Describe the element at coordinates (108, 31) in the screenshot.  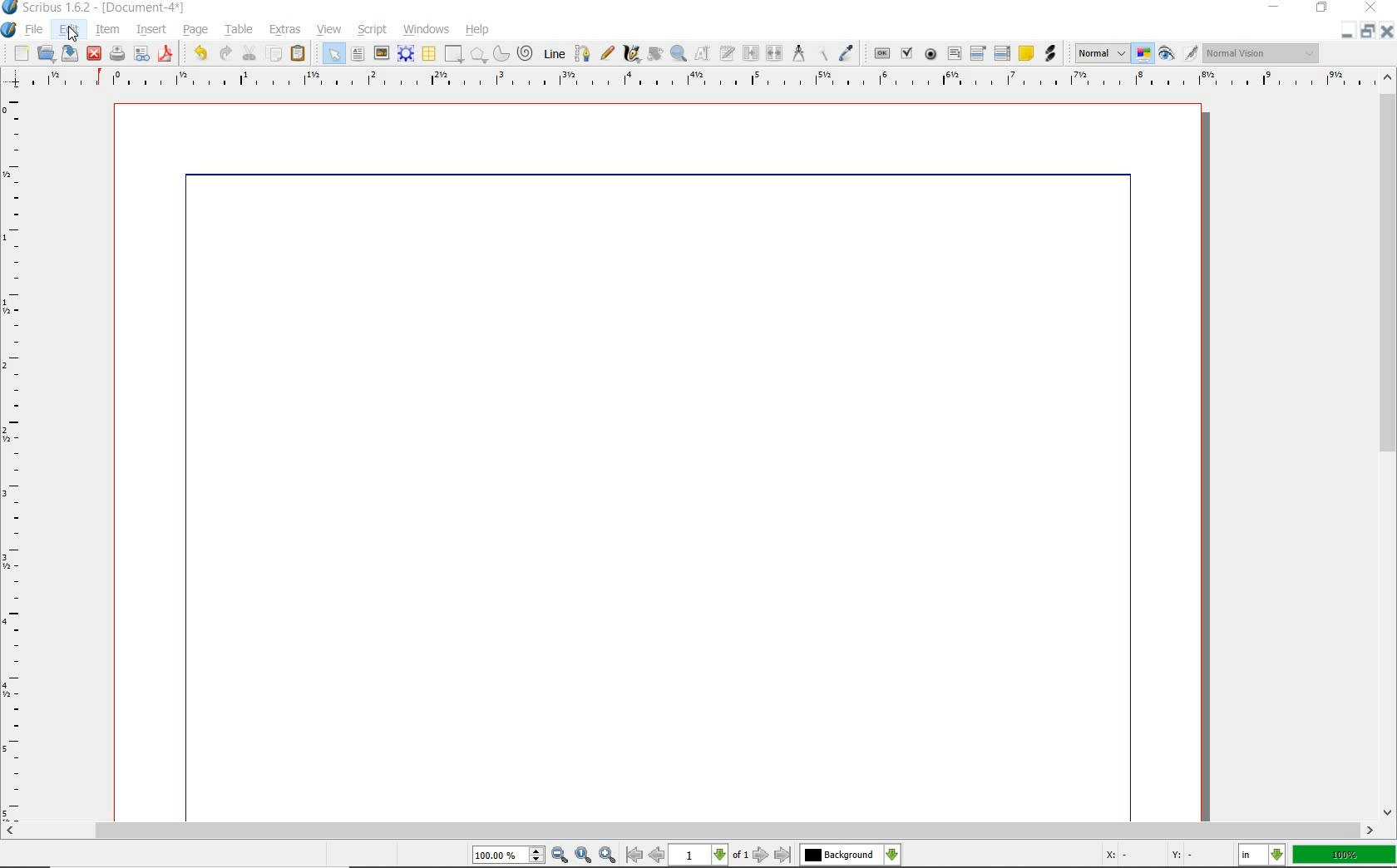
I see `item` at that location.